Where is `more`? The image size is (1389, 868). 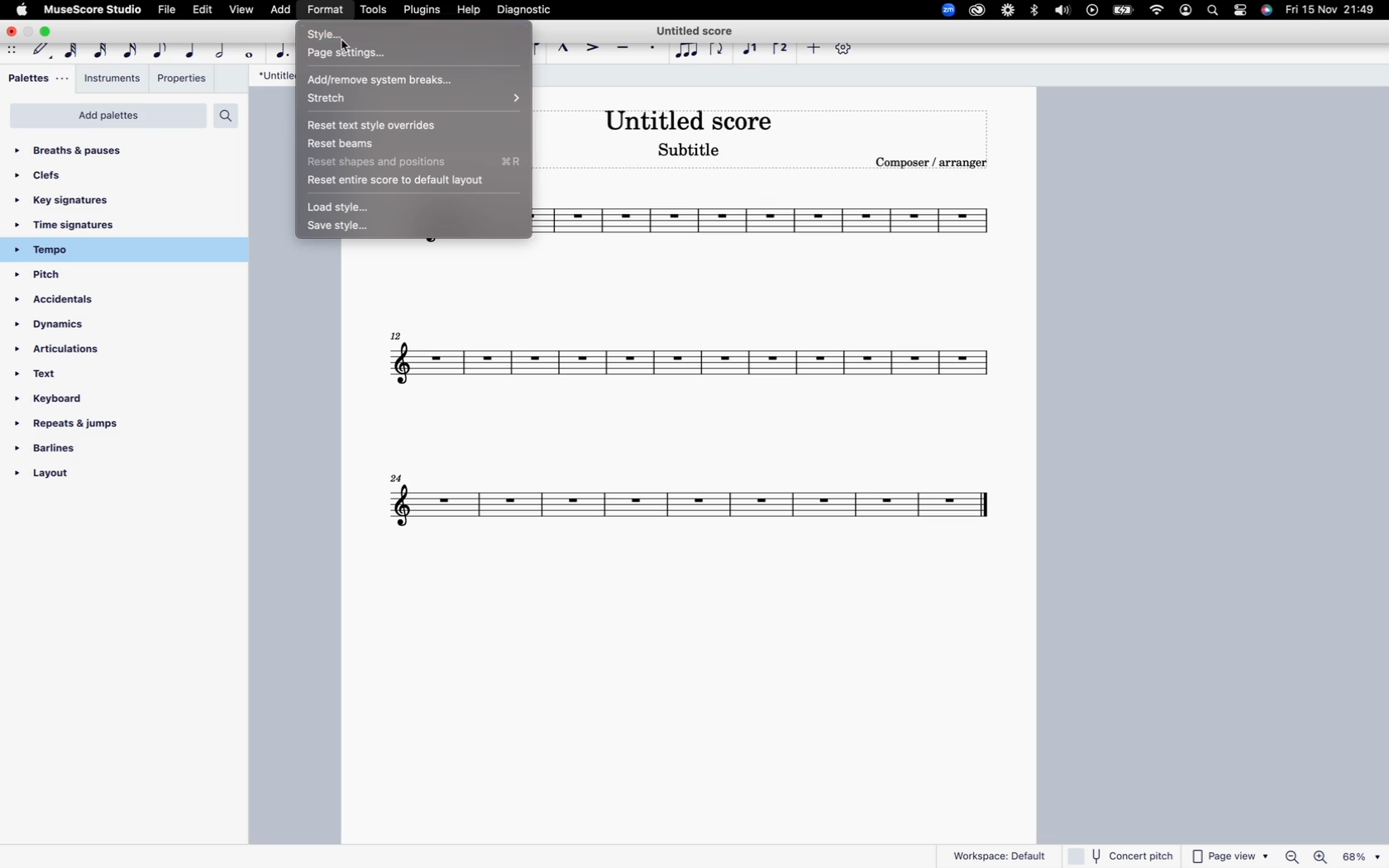 more is located at coordinates (813, 50).